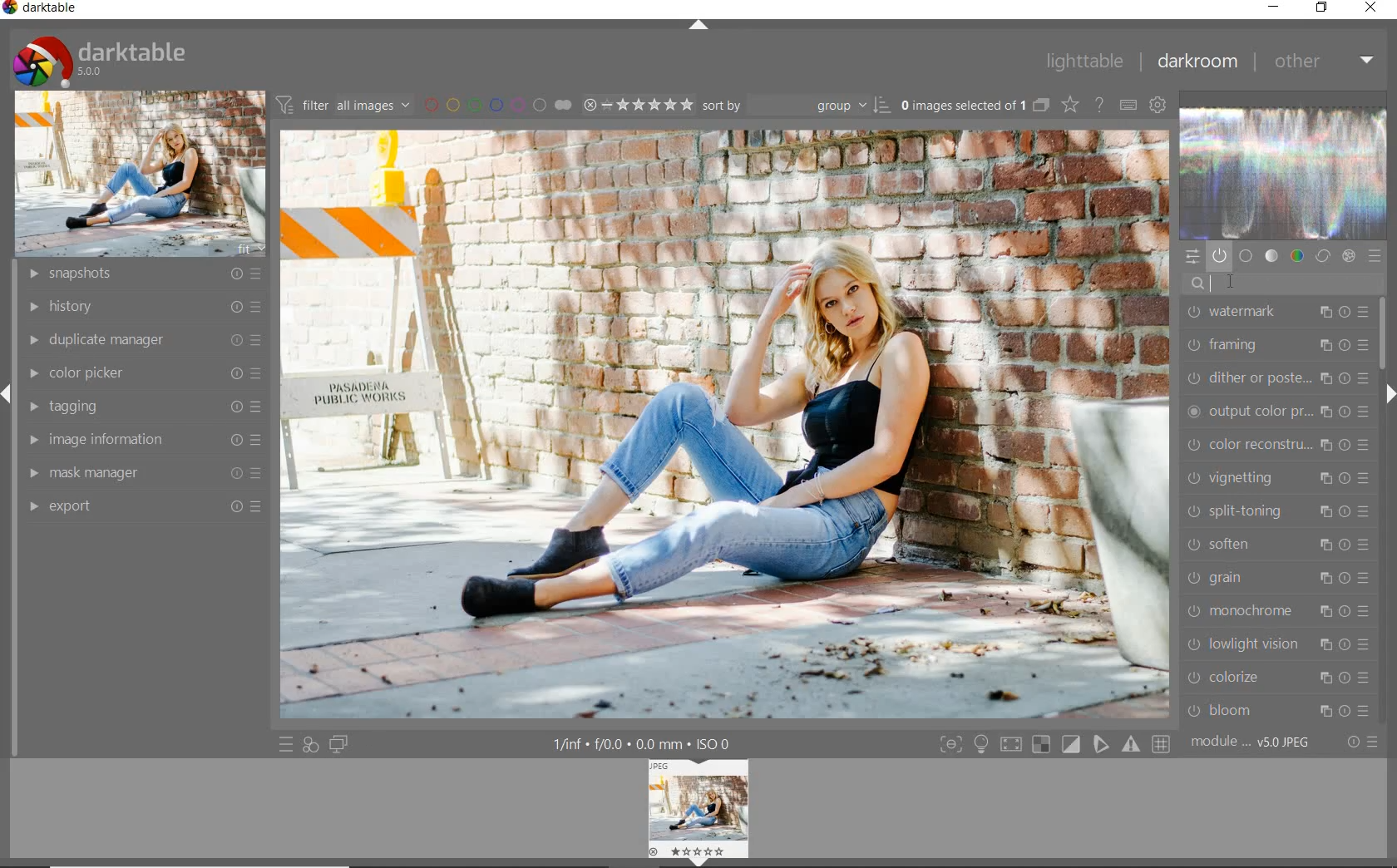 The width and height of the screenshot is (1397, 868). Describe the element at coordinates (1277, 579) in the screenshot. I see `grain` at that location.